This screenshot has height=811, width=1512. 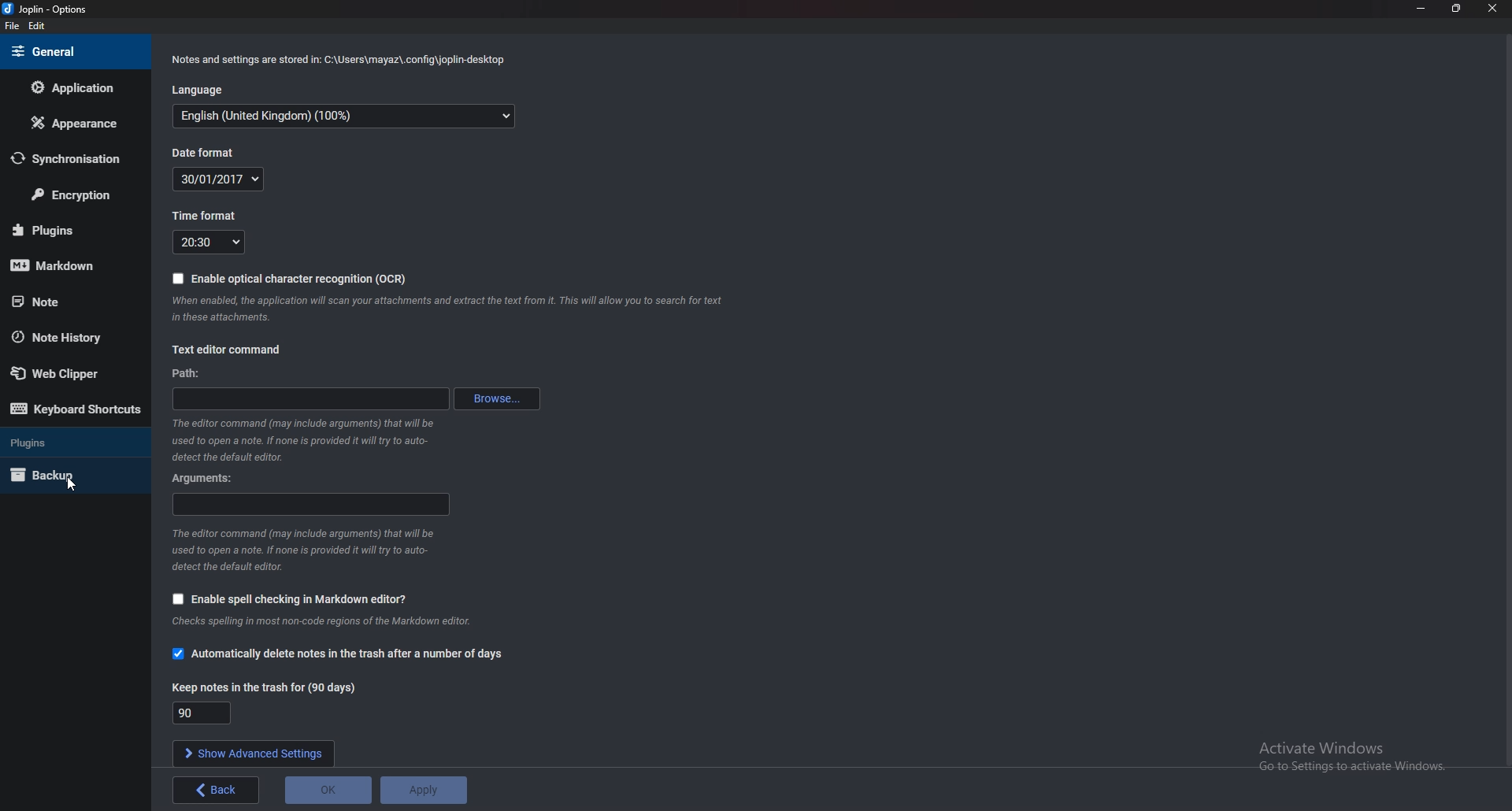 What do you see at coordinates (75, 158) in the screenshot?
I see `Synchronization` at bounding box center [75, 158].